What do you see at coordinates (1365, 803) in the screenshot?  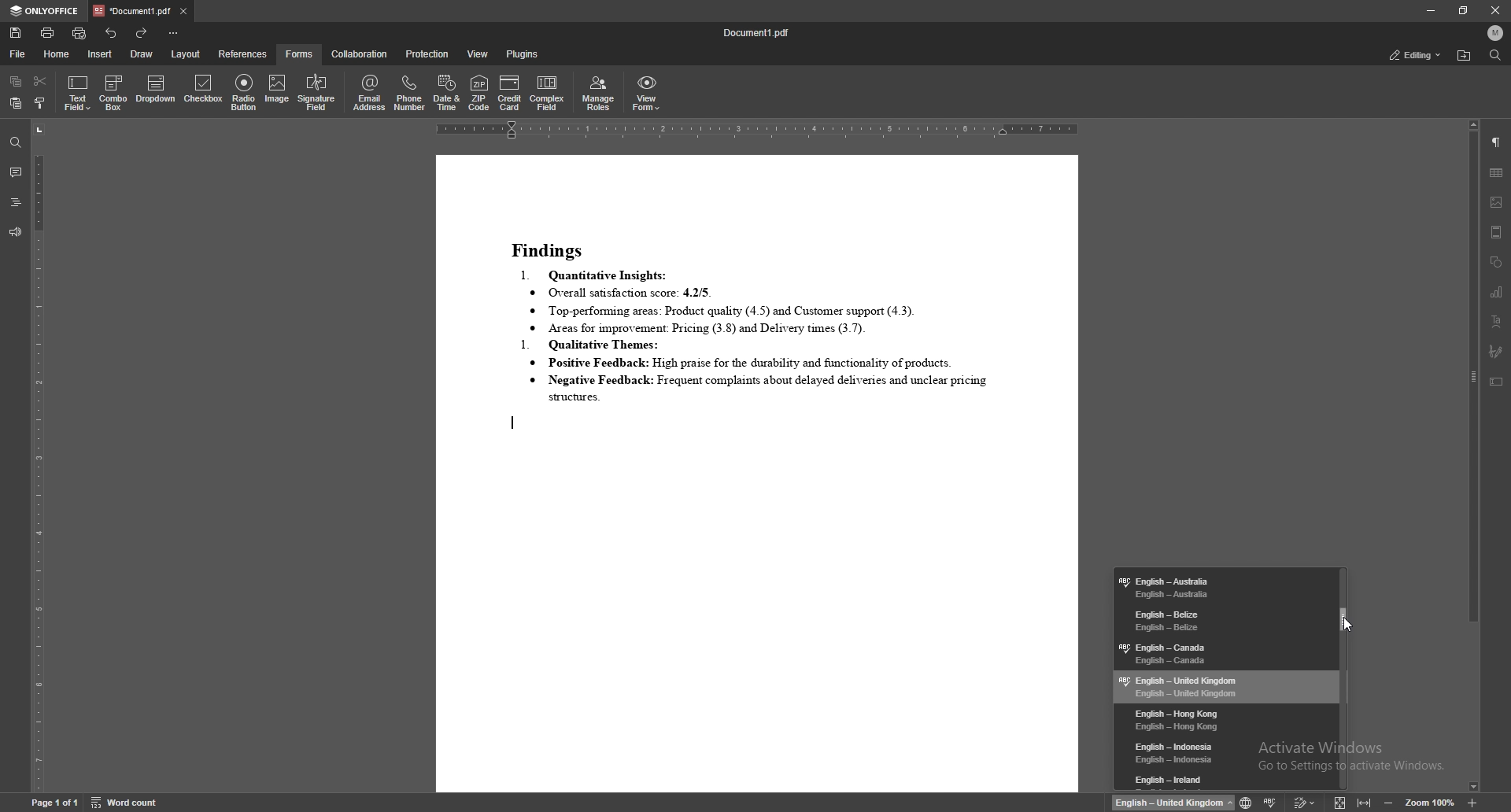 I see `fit to width` at bounding box center [1365, 803].